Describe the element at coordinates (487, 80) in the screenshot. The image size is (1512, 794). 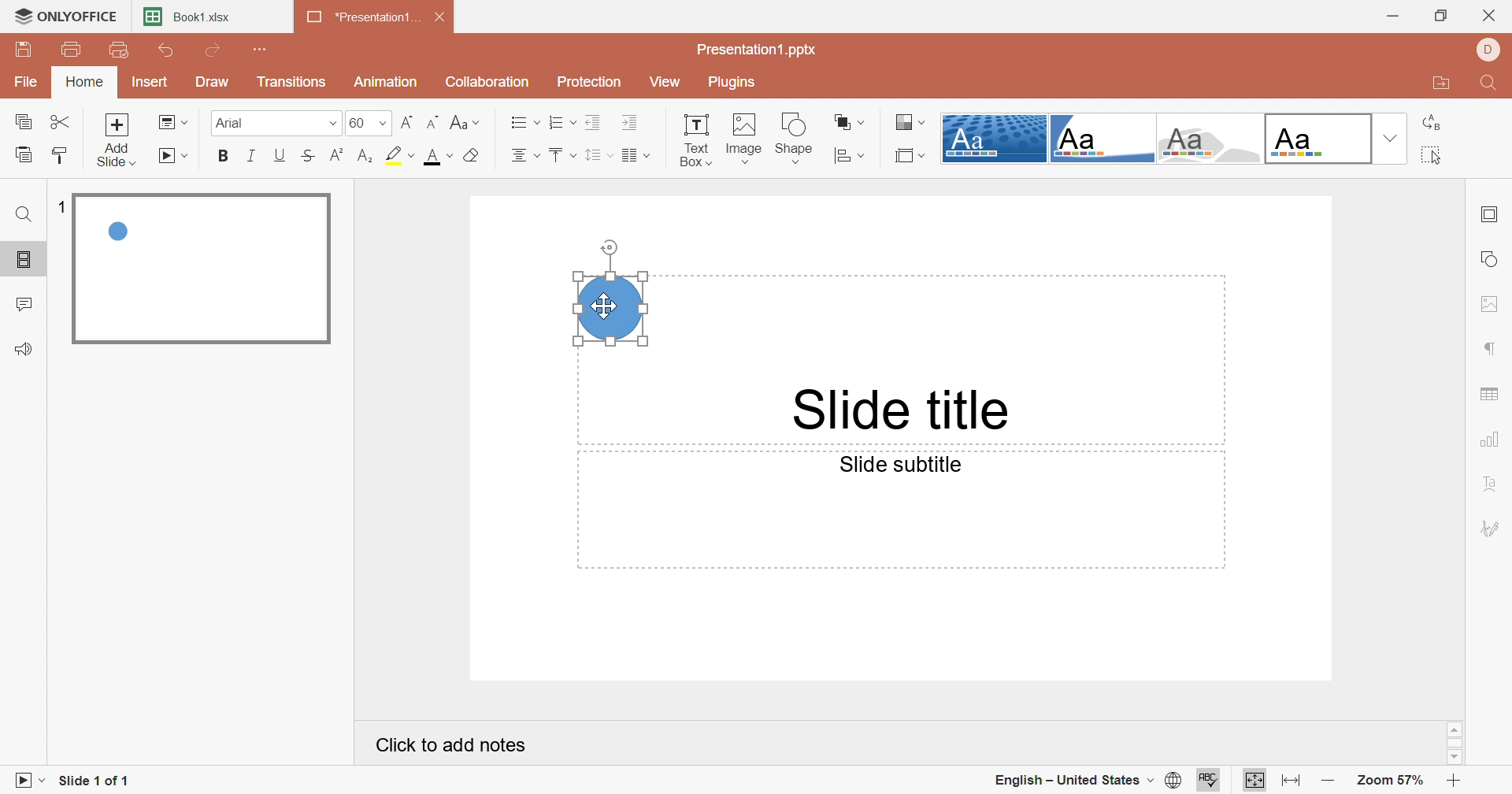
I see `Collaboration` at that location.